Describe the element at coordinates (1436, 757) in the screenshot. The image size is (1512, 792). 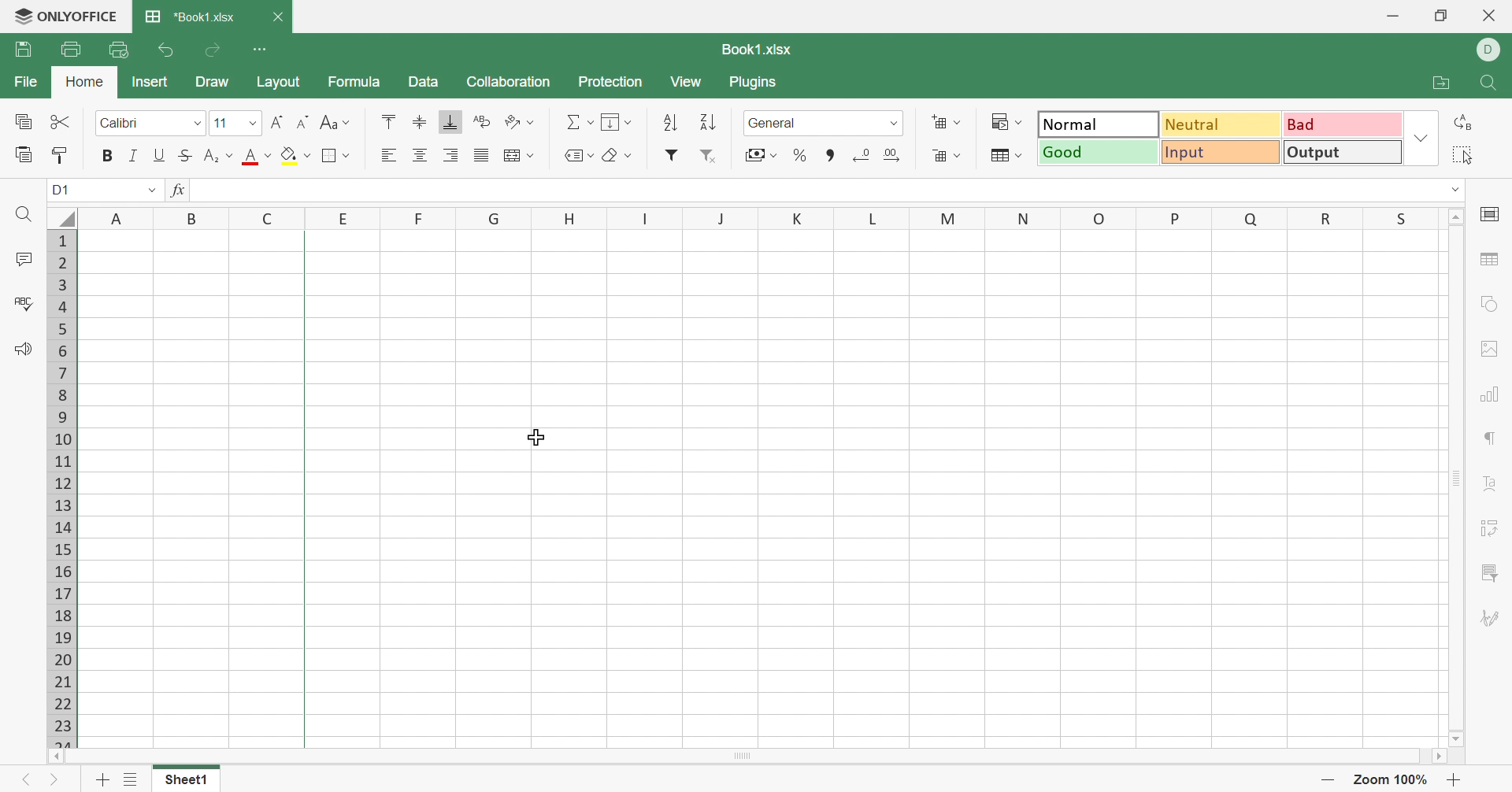
I see `Scroll Right` at that location.